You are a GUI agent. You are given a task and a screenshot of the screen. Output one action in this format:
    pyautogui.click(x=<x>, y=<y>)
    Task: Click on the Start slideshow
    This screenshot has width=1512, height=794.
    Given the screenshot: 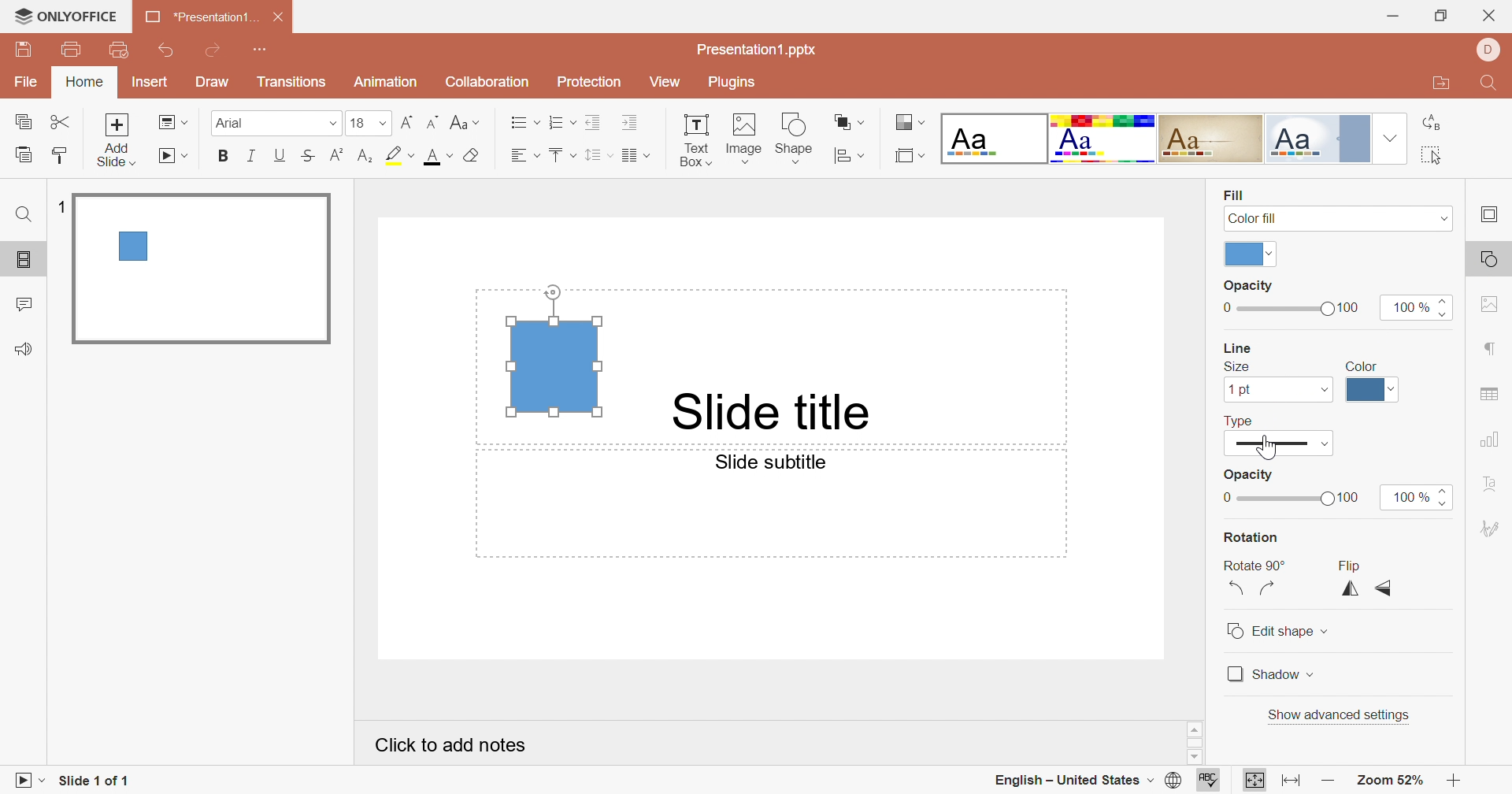 What is the action you would take?
    pyautogui.click(x=31, y=782)
    